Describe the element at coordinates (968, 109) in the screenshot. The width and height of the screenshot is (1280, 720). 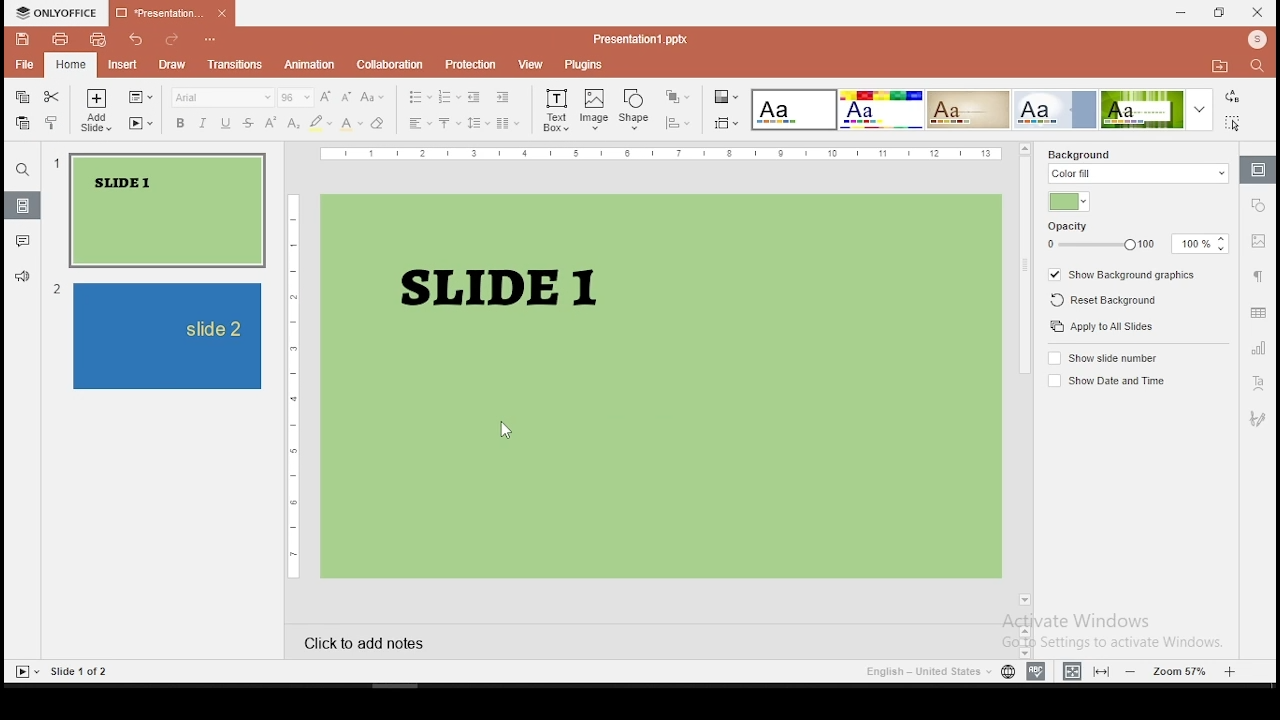
I see `select color theme` at that location.